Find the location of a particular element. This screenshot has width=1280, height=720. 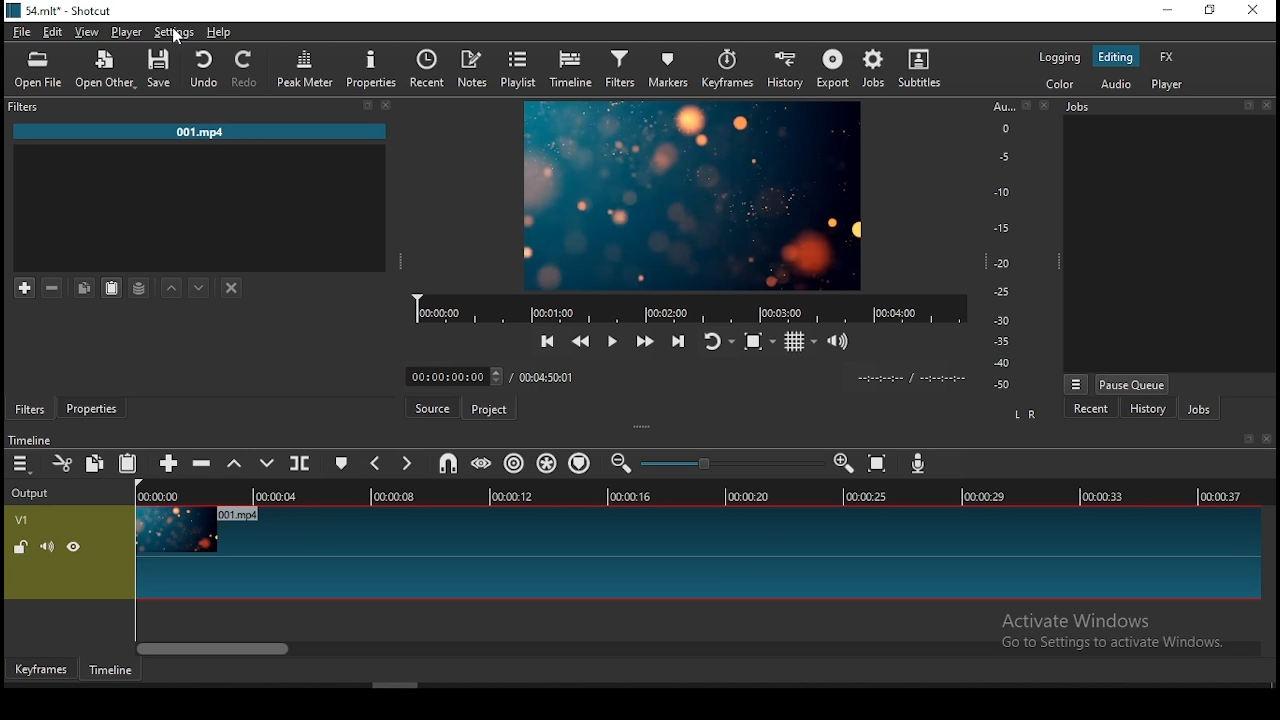

volume is located at coordinates (47, 546).